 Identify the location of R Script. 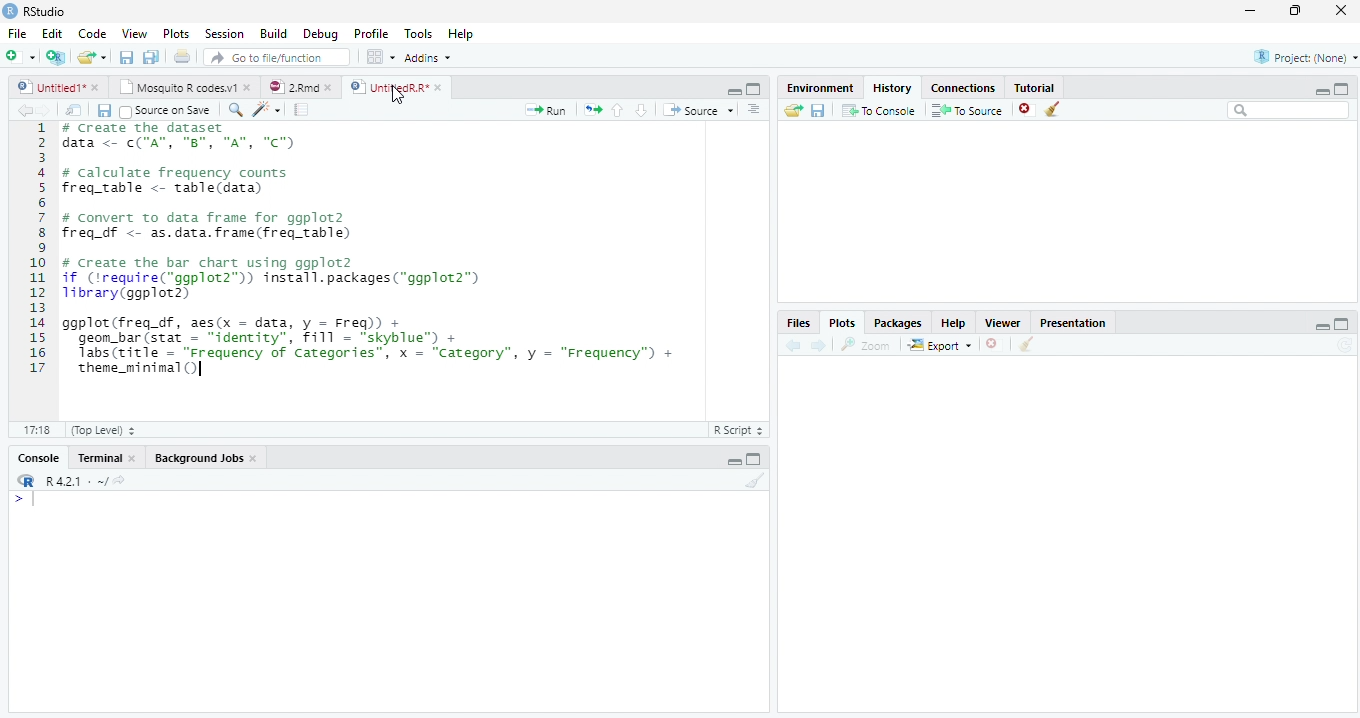
(740, 431).